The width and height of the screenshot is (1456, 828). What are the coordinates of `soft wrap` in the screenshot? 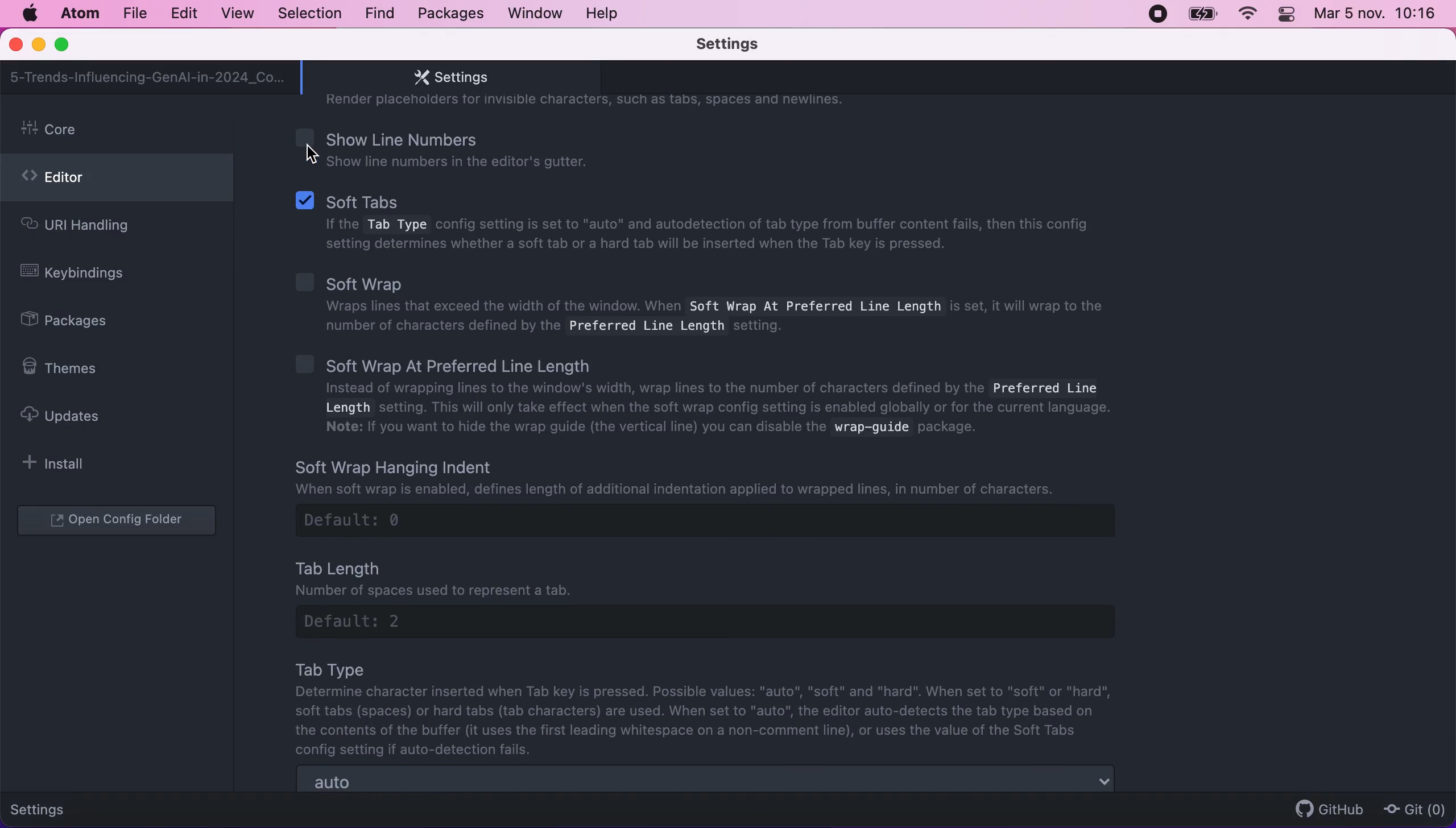 It's located at (701, 302).